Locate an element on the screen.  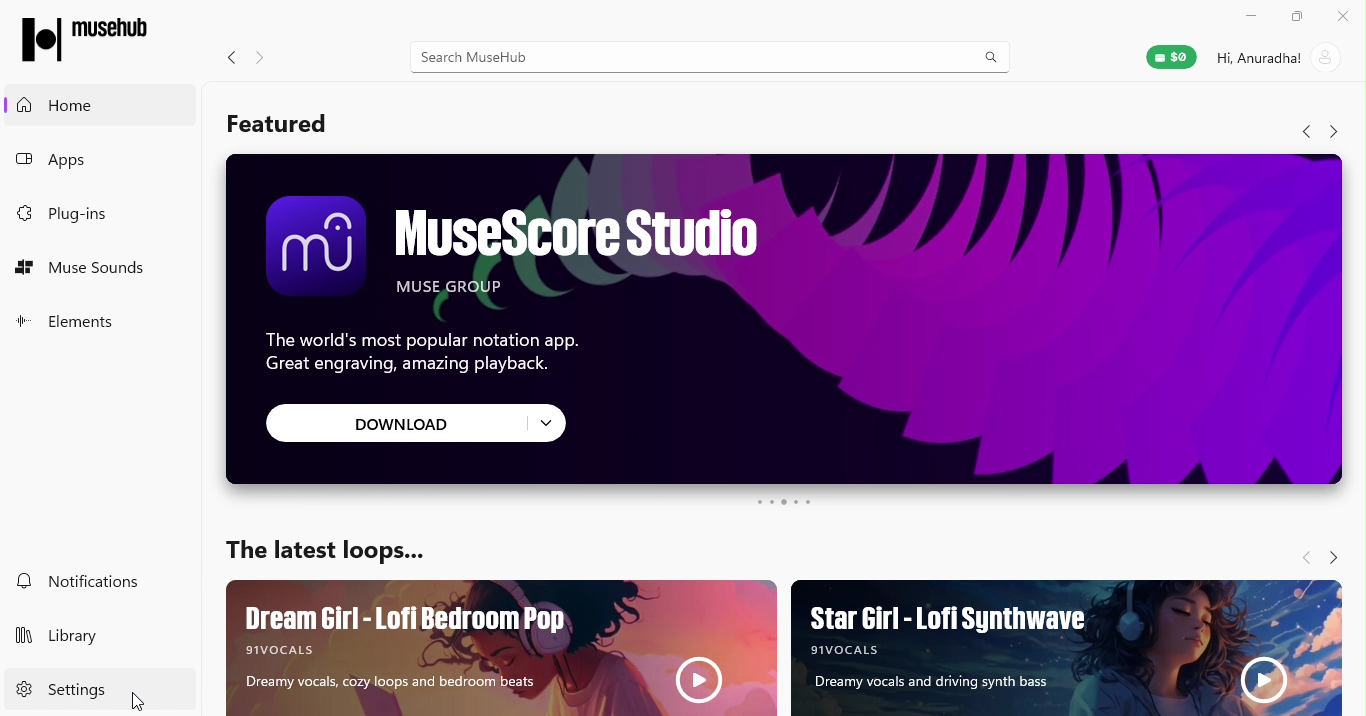
Navigate forward is located at coordinates (258, 54).